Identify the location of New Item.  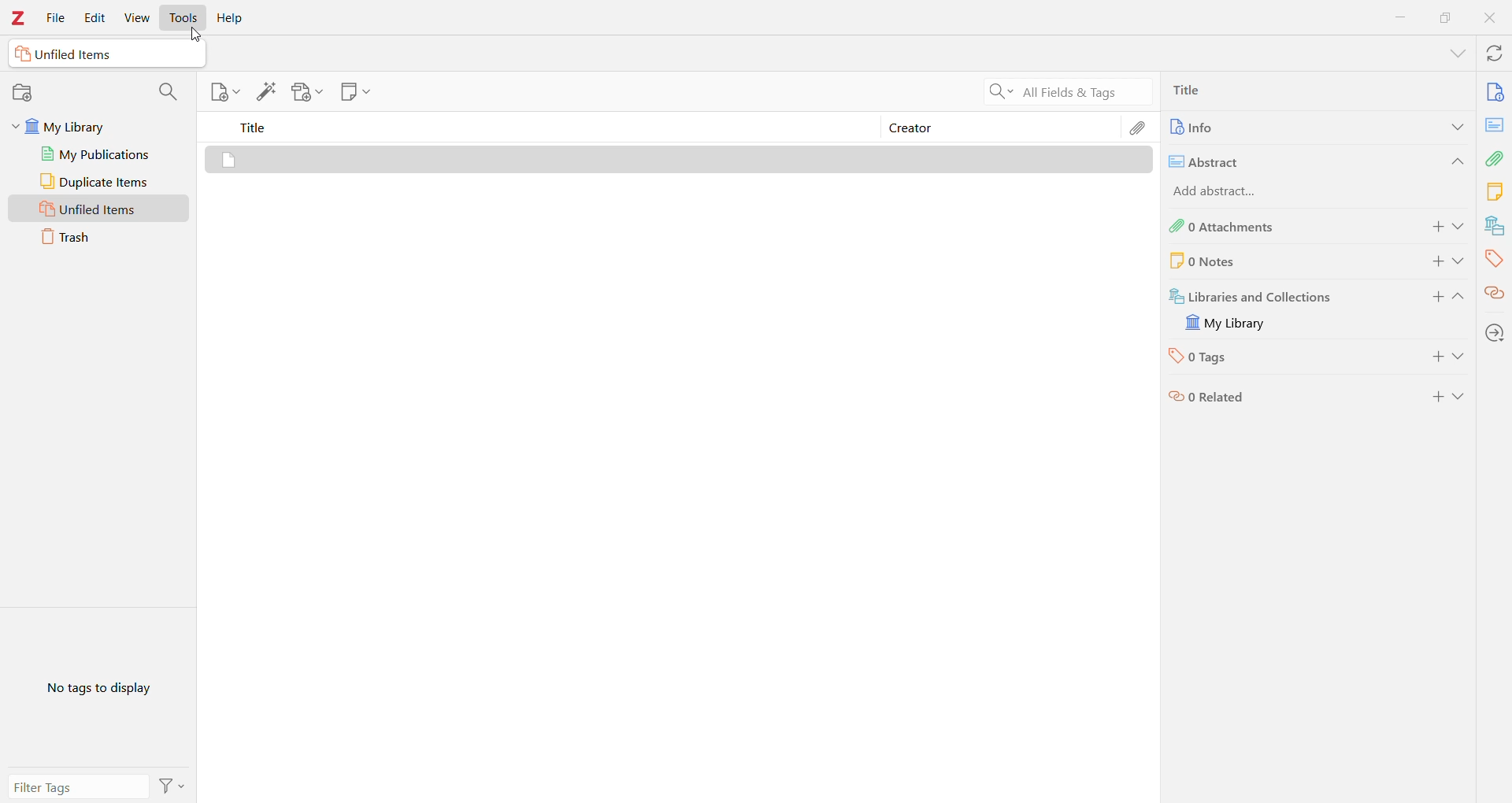
(223, 92).